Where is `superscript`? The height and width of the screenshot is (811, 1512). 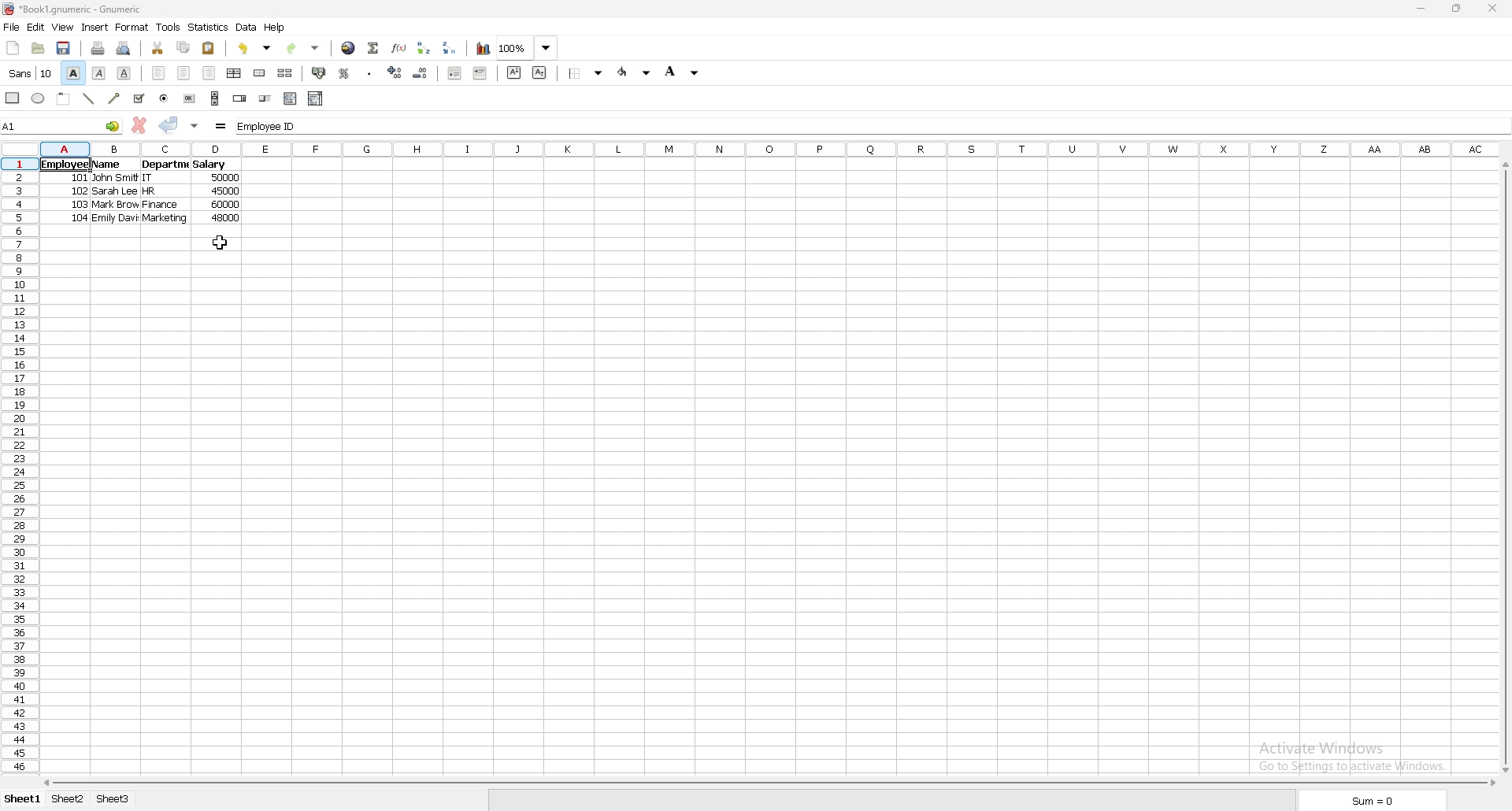 superscript is located at coordinates (514, 72).